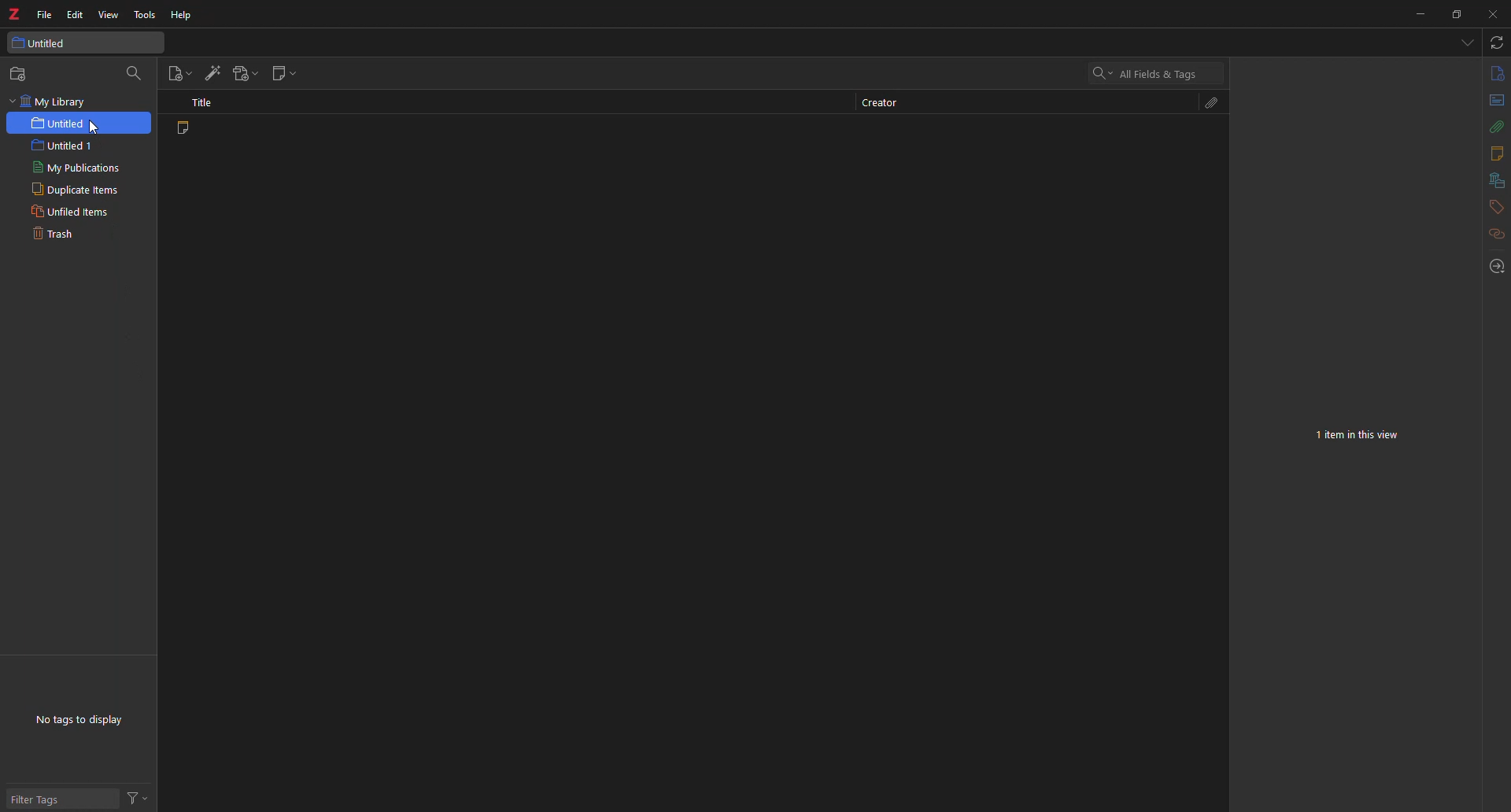  I want to click on tags, so click(1496, 207).